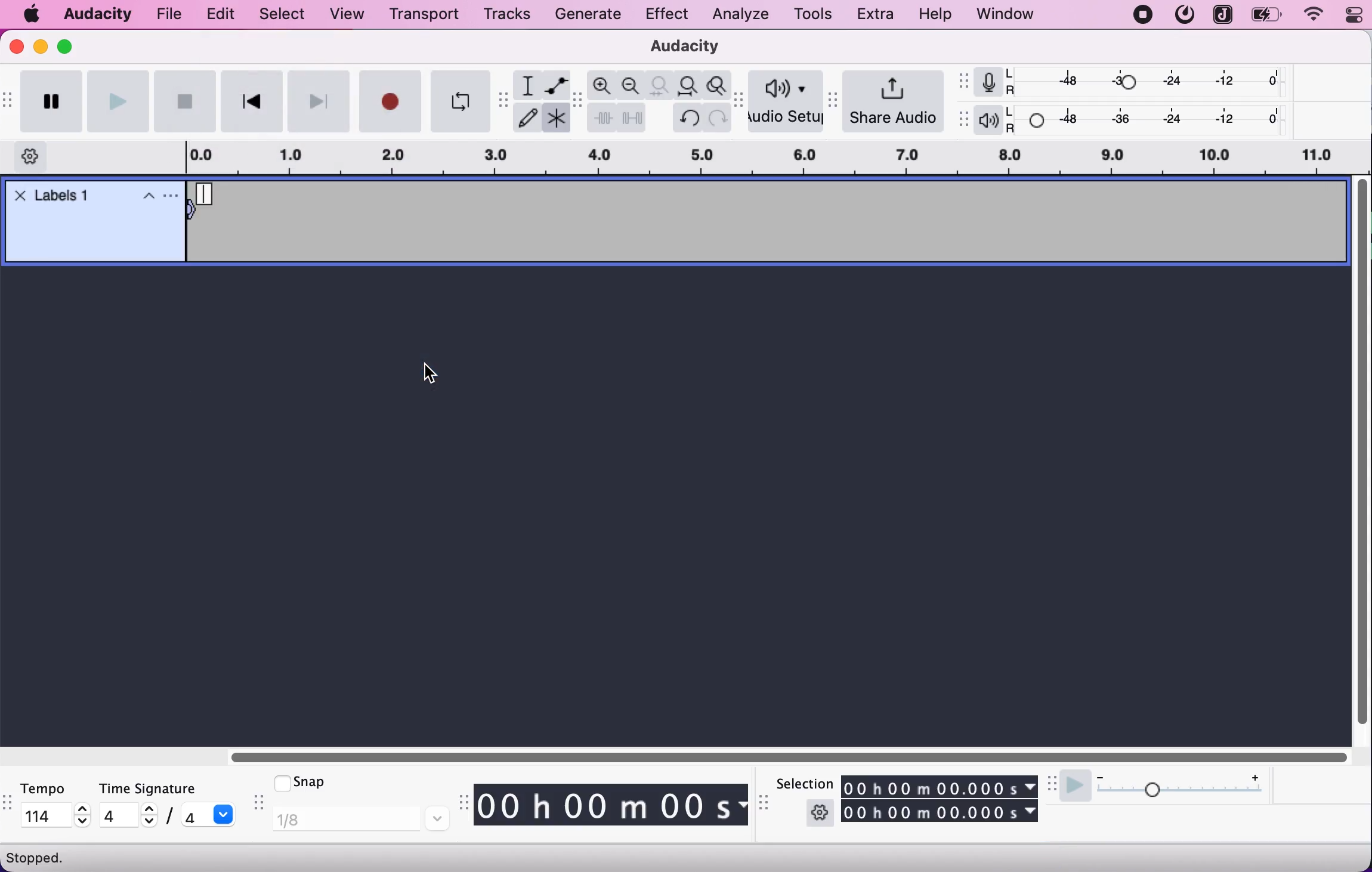 This screenshot has width=1372, height=872. Describe the element at coordinates (717, 86) in the screenshot. I see `zoom toggle` at that location.